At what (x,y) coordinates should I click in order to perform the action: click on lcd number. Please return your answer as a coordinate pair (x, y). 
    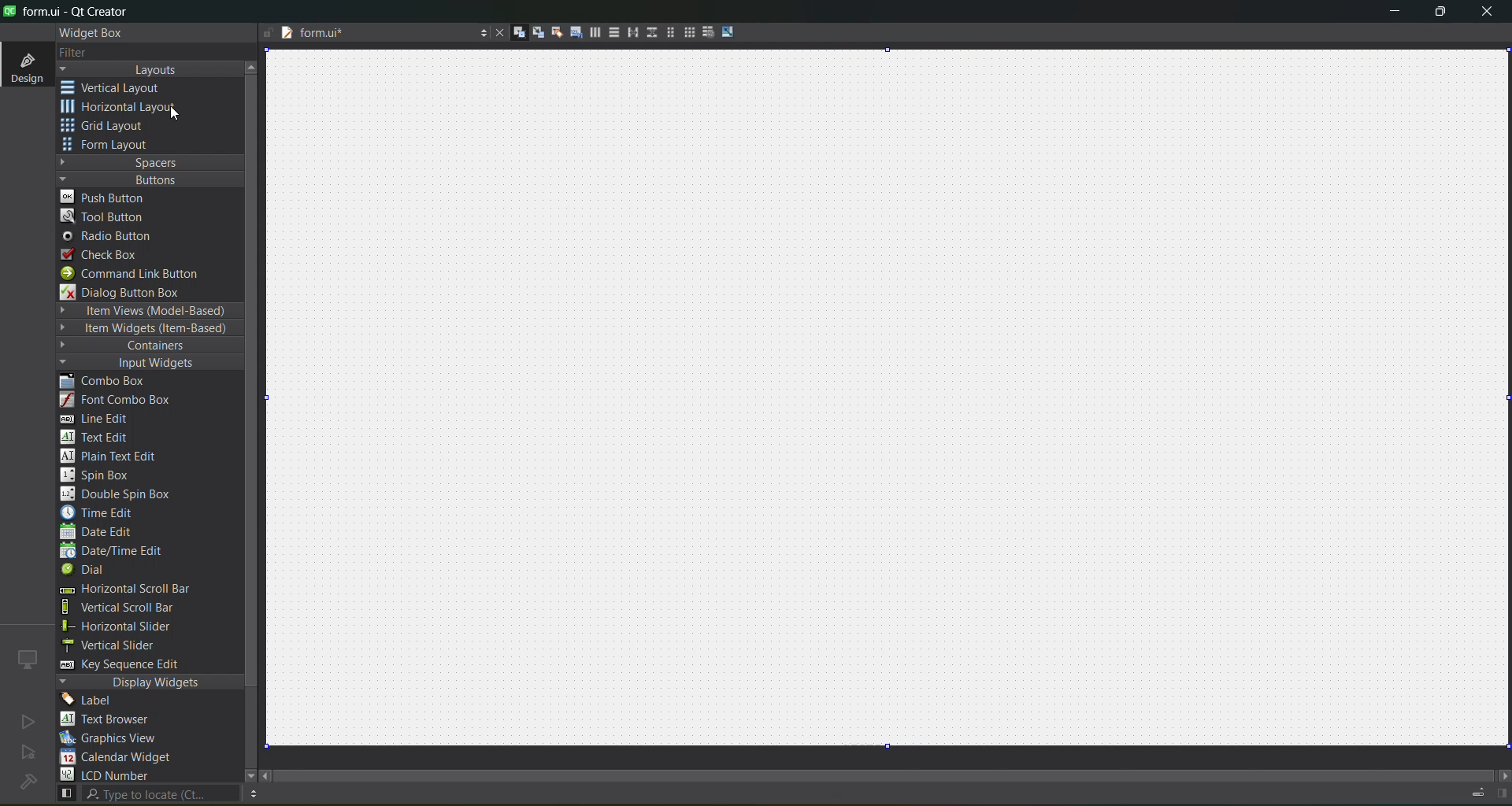
    Looking at the image, I should click on (109, 775).